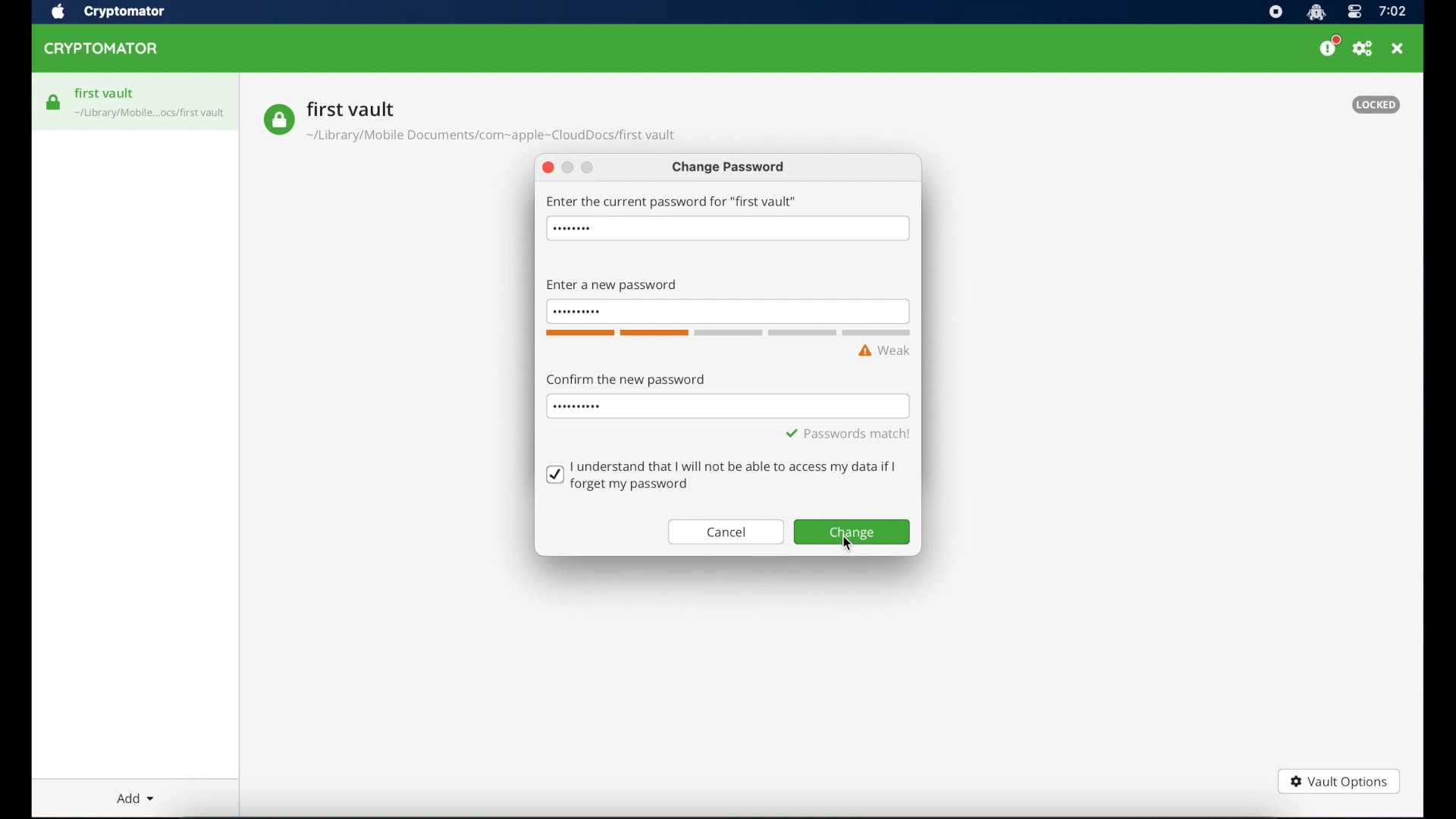 The height and width of the screenshot is (819, 1456). Describe the element at coordinates (136, 798) in the screenshot. I see `add dropdown` at that location.